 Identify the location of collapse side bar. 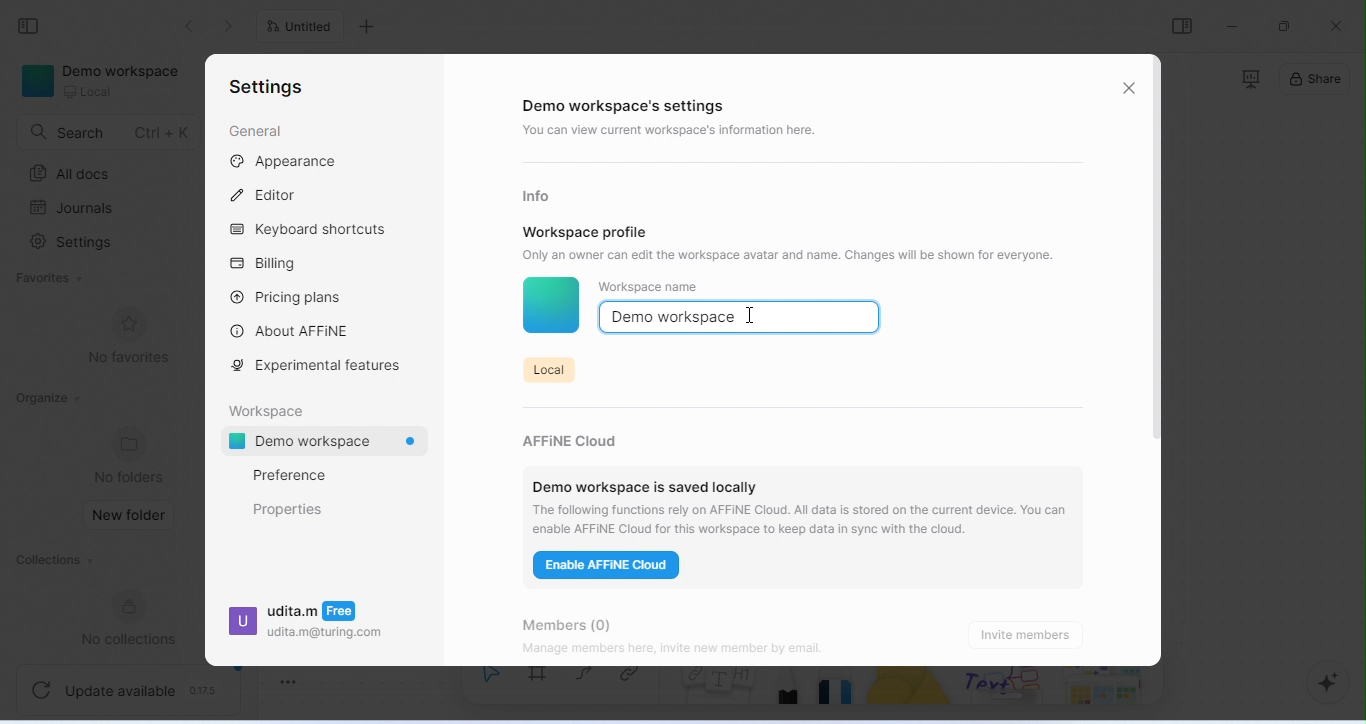
(34, 27).